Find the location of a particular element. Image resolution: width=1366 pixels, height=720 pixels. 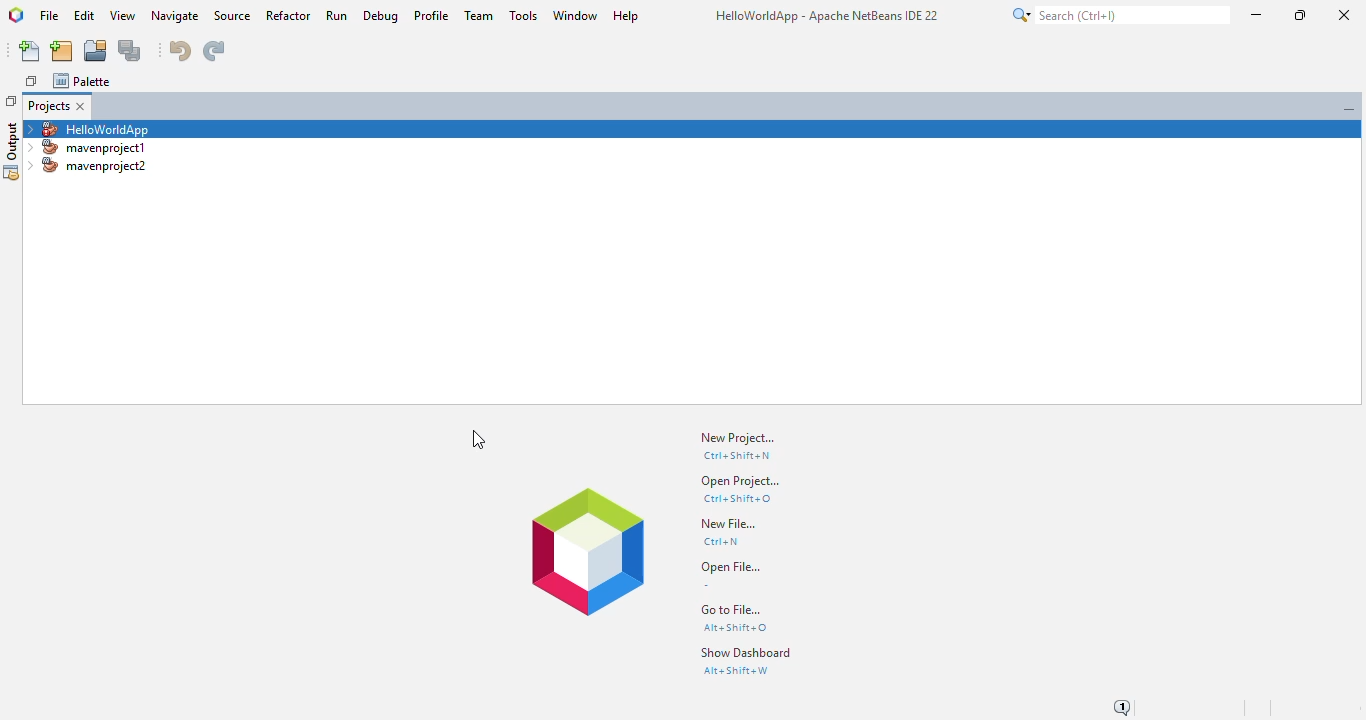

mavenproject2 is located at coordinates (86, 166).